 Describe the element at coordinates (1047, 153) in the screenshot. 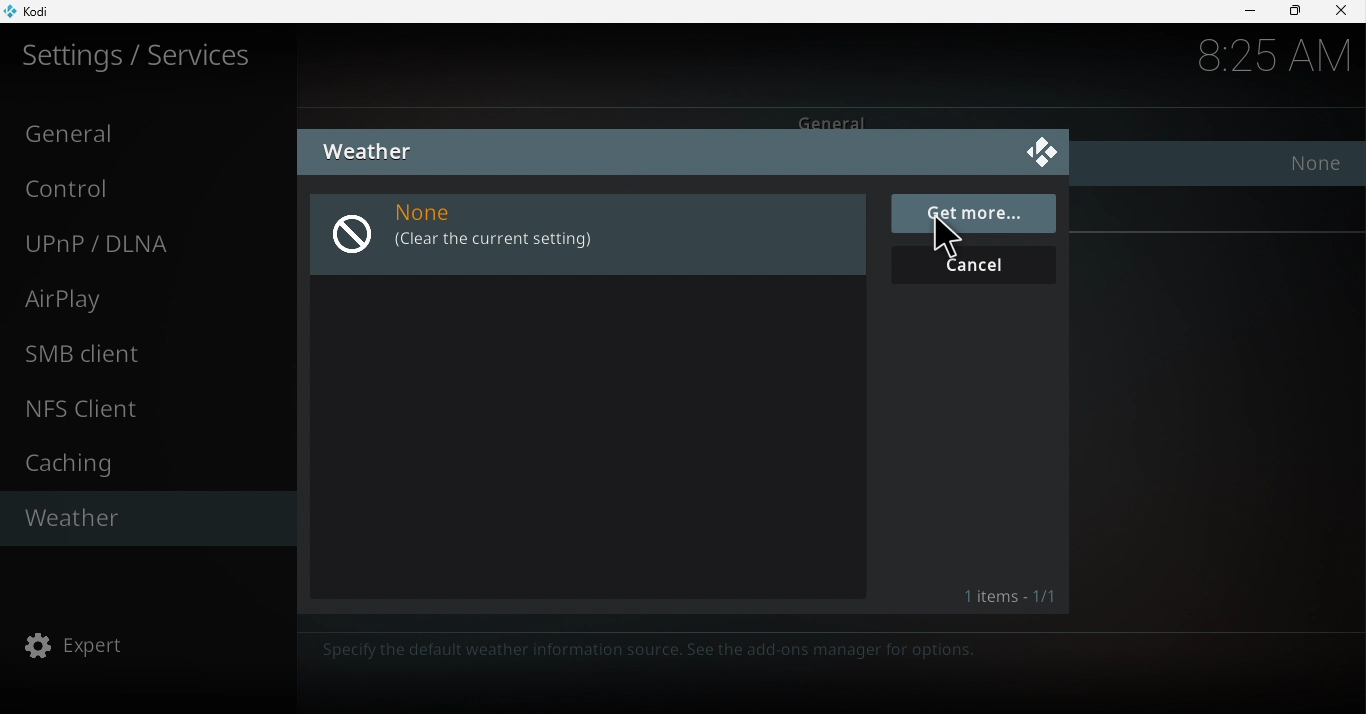

I see `Close` at that location.